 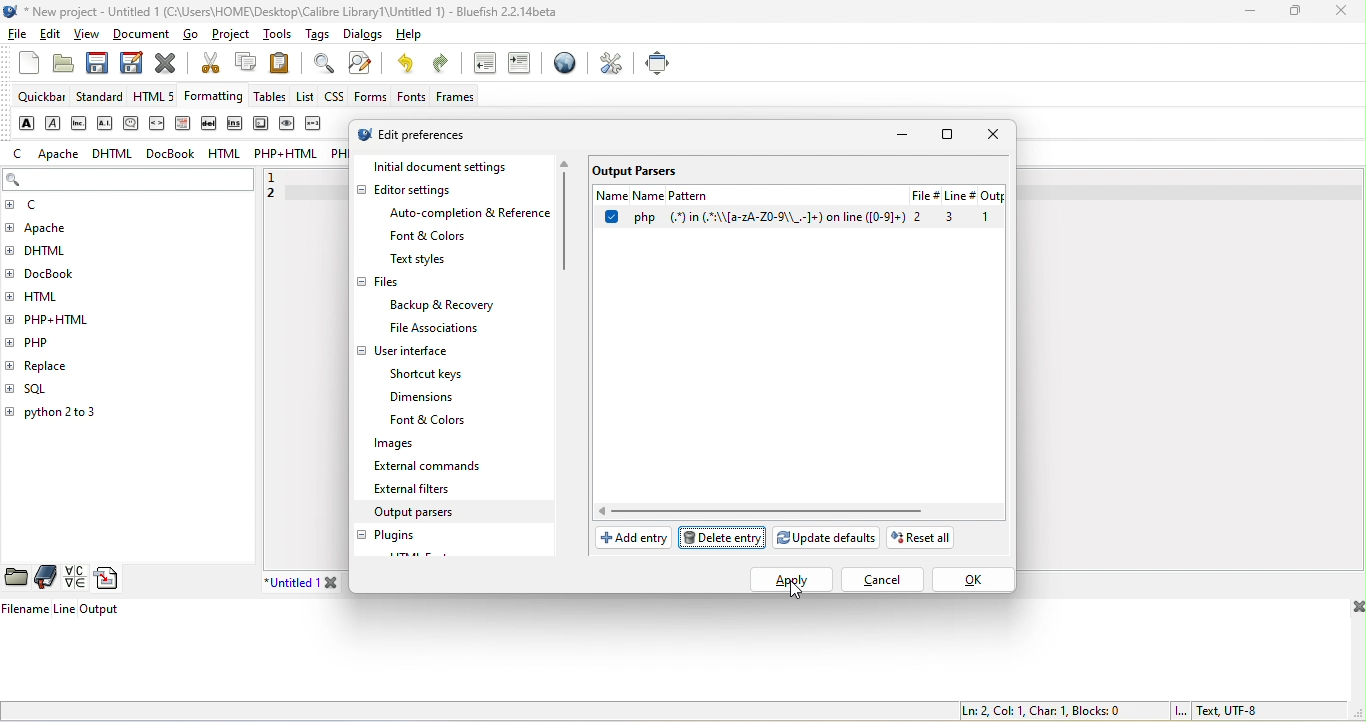 What do you see at coordinates (210, 123) in the screenshot?
I see `delete` at bounding box center [210, 123].